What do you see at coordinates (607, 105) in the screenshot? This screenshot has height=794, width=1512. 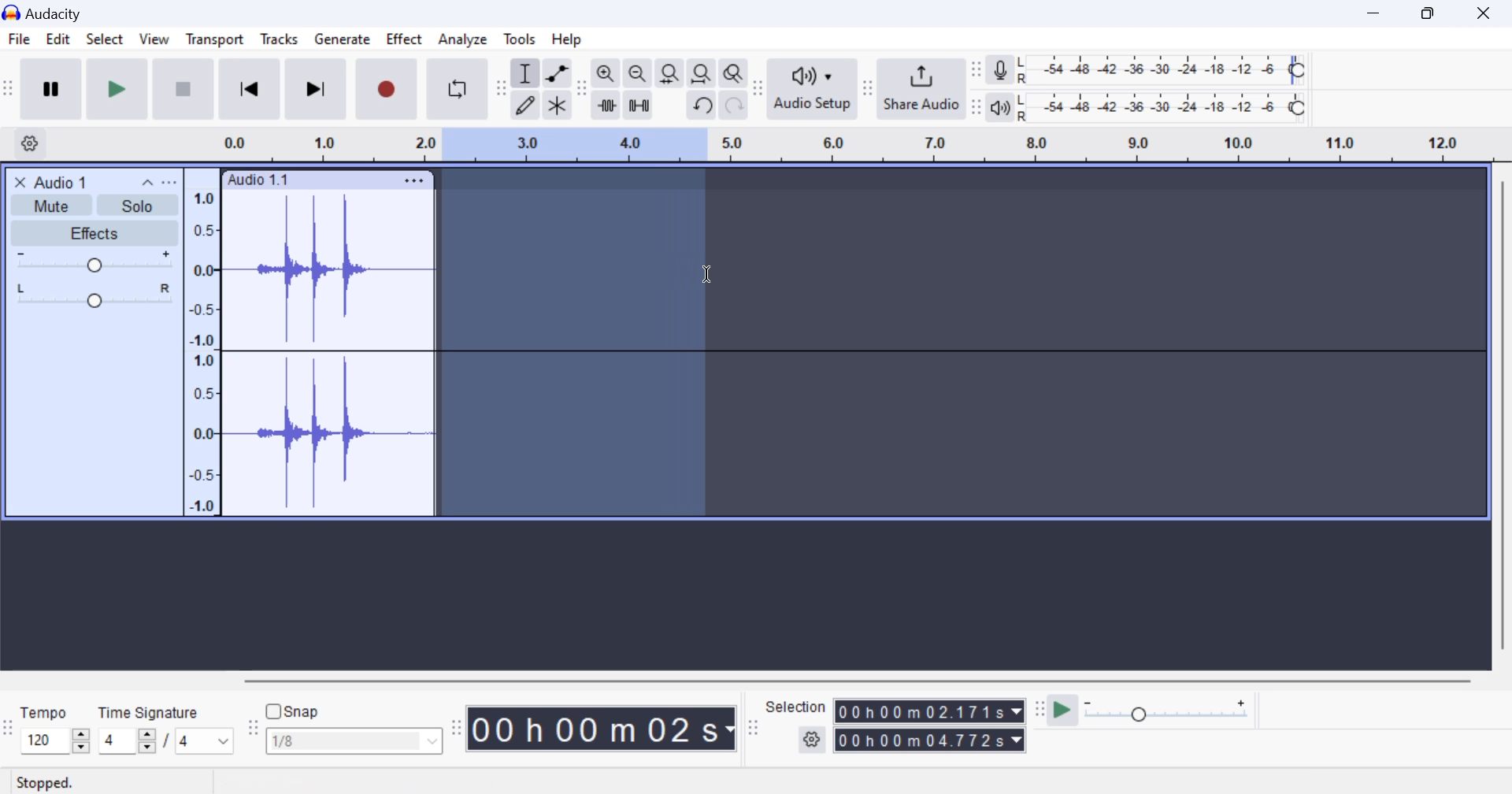 I see `trim audio outside select` at bounding box center [607, 105].